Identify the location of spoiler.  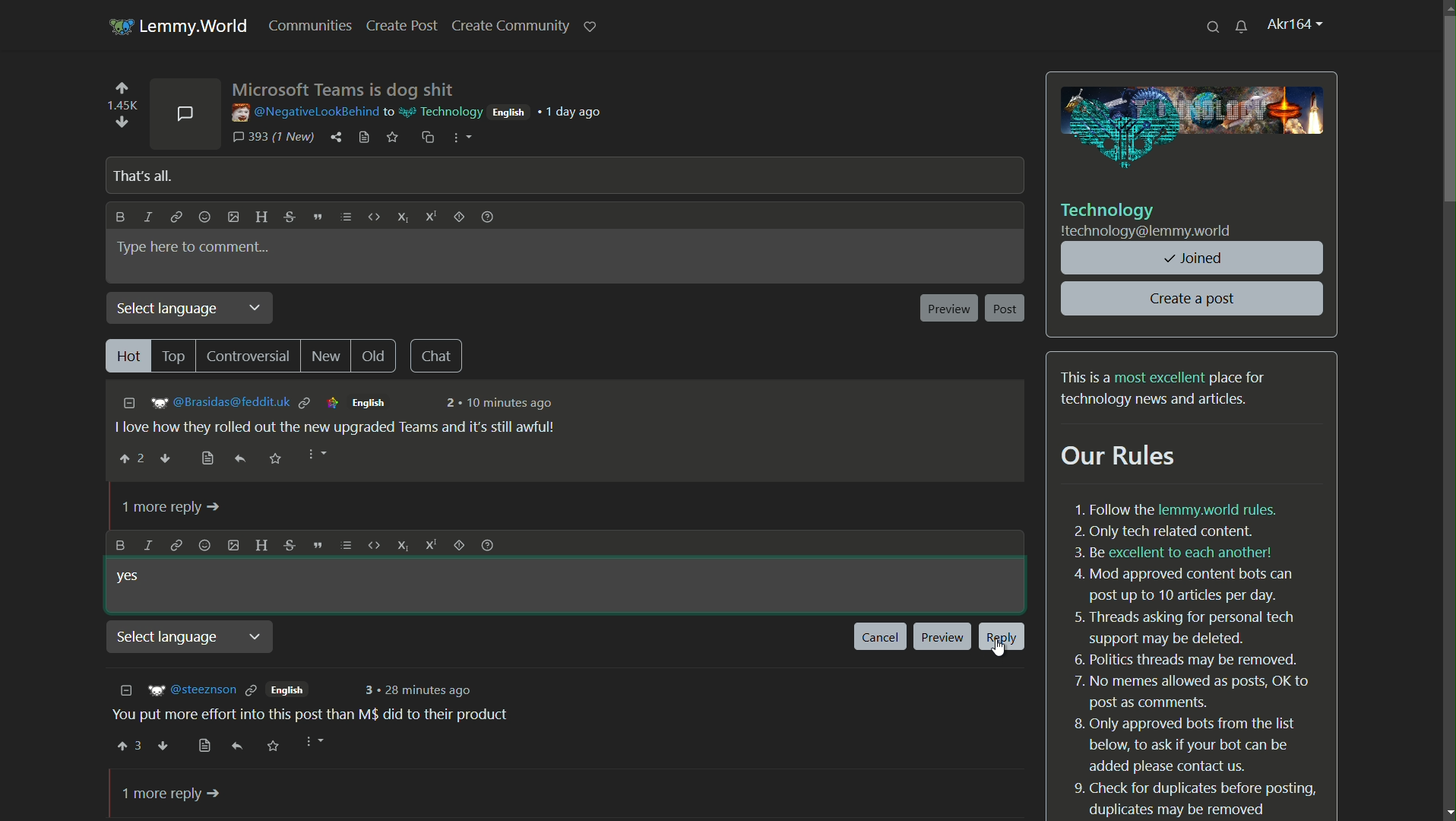
(457, 546).